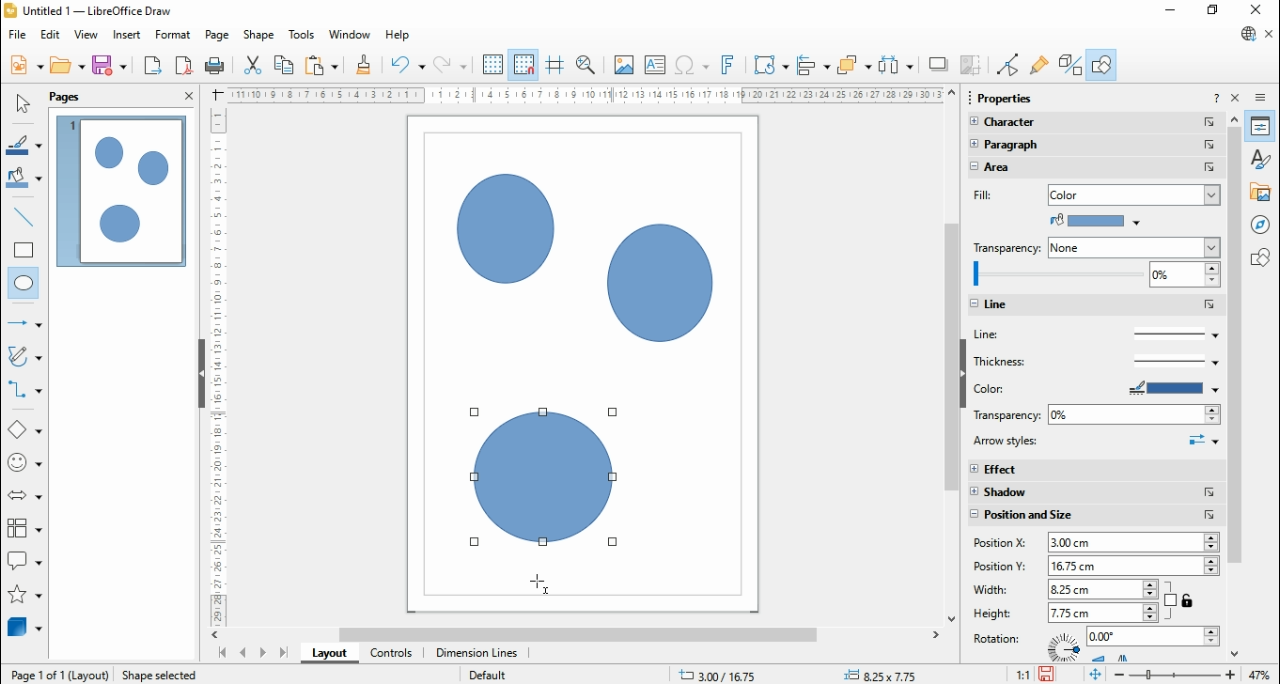  What do you see at coordinates (547, 481) in the screenshot?
I see `Circle shape` at bounding box center [547, 481].